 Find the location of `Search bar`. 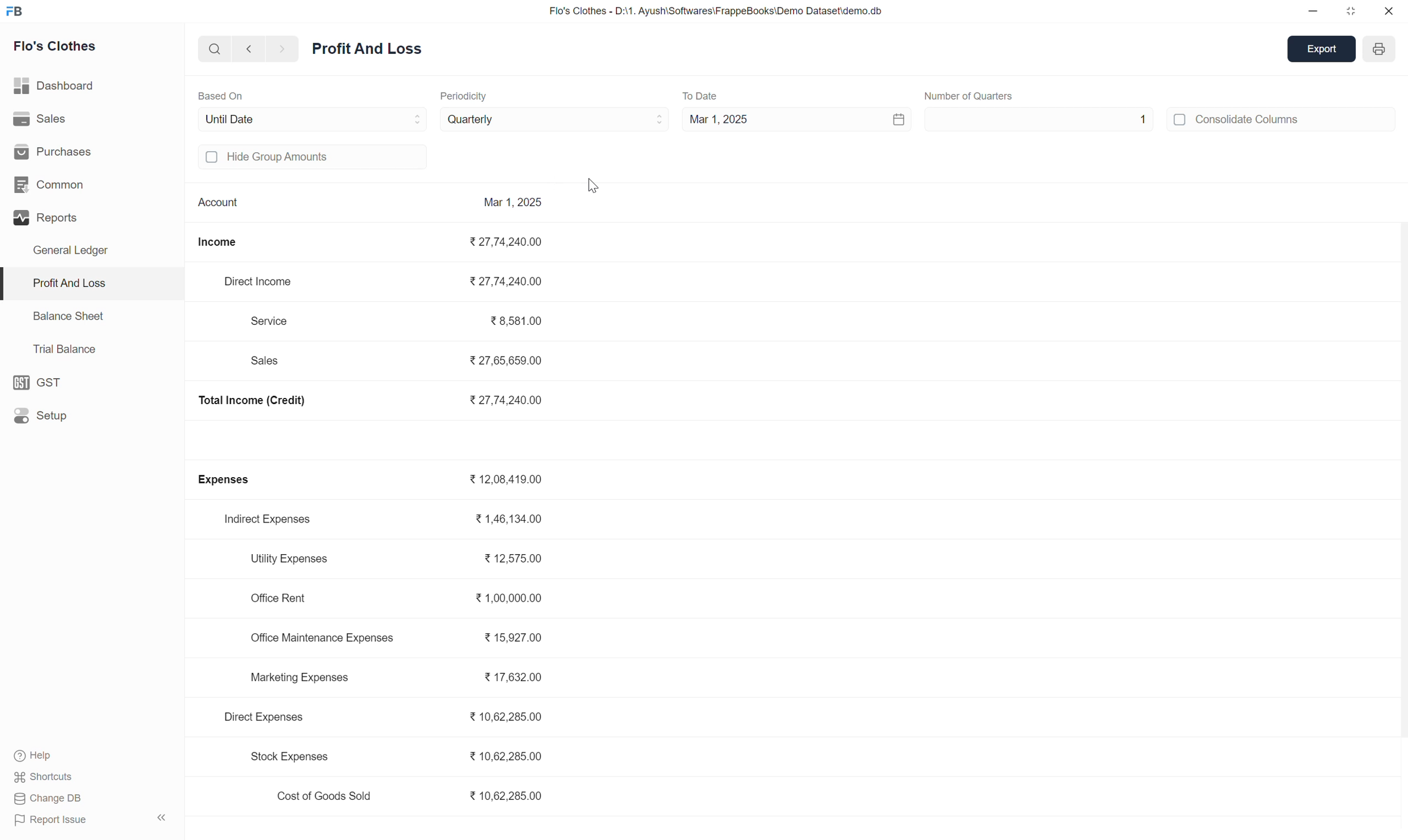

Search bar is located at coordinates (207, 52).